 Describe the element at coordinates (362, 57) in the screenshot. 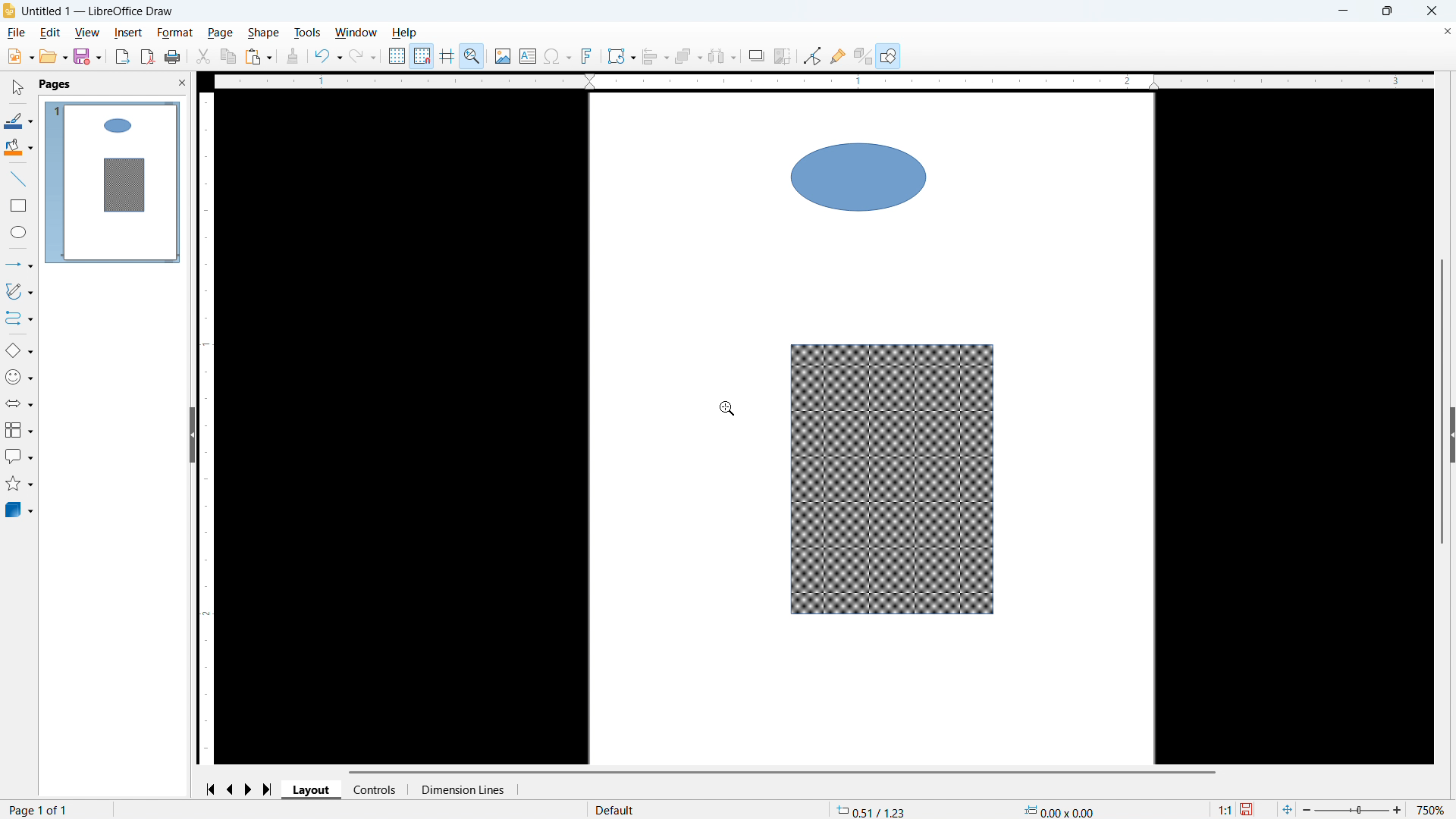

I see `Redo ` at that location.